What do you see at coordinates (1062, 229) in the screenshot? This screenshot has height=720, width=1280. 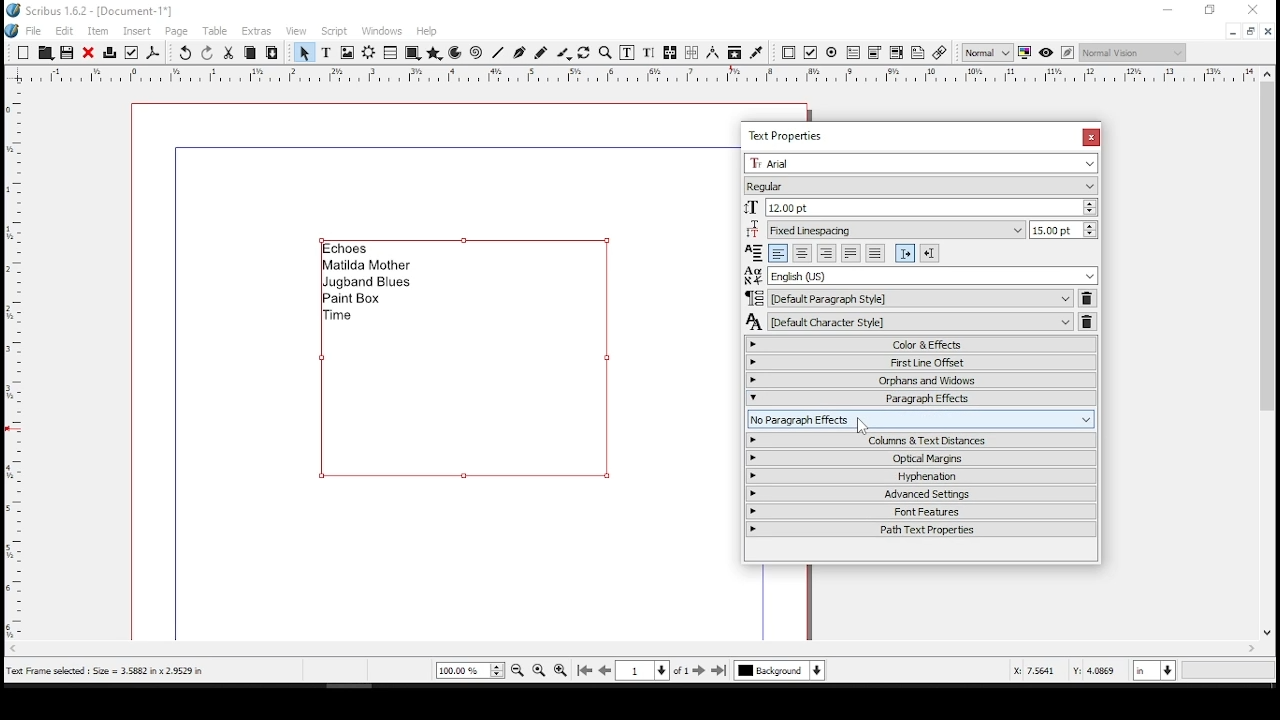 I see `line spacing` at bounding box center [1062, 229].